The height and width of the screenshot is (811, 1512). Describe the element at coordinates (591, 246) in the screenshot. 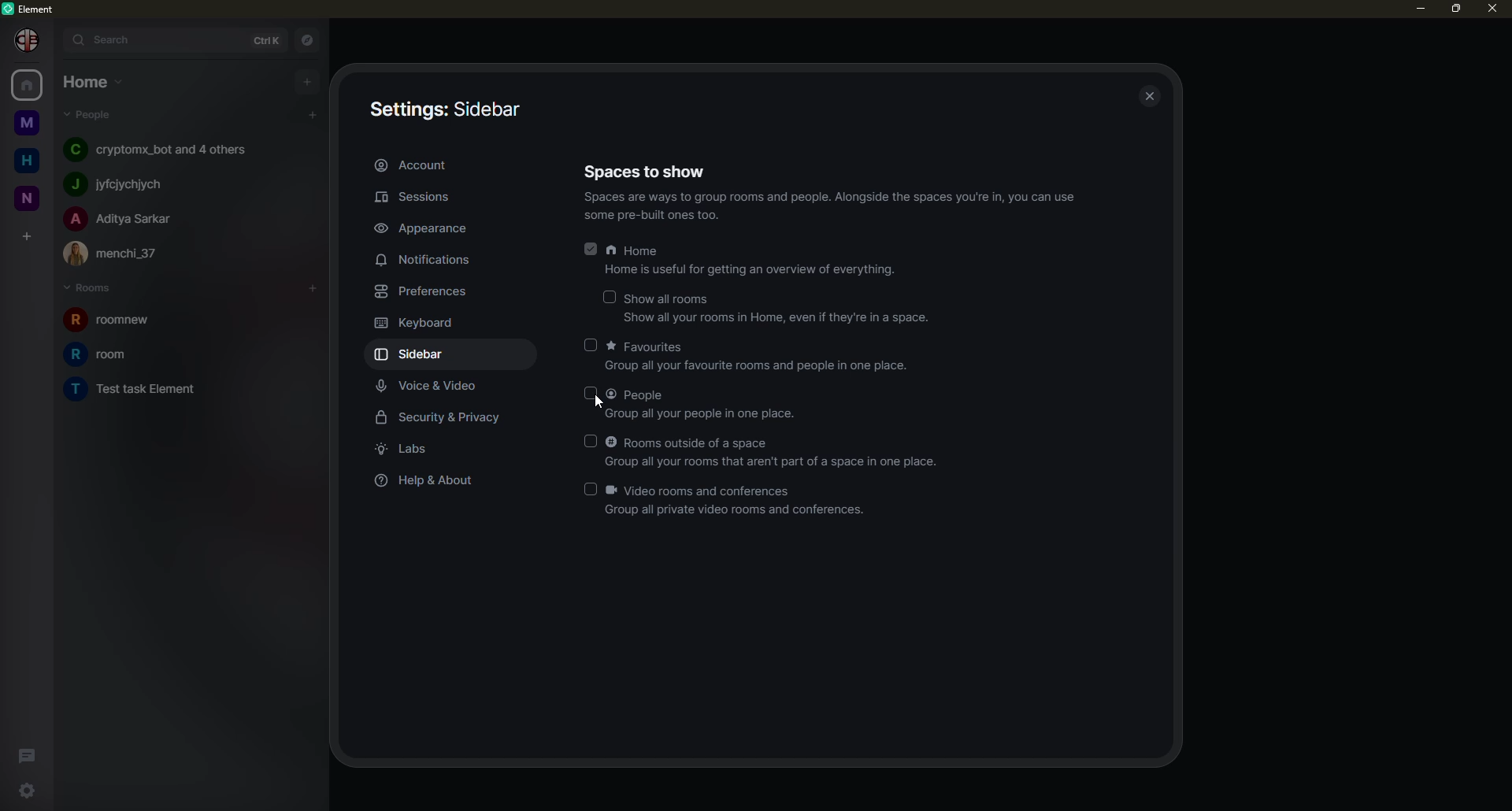

I see `enabled` at that location.